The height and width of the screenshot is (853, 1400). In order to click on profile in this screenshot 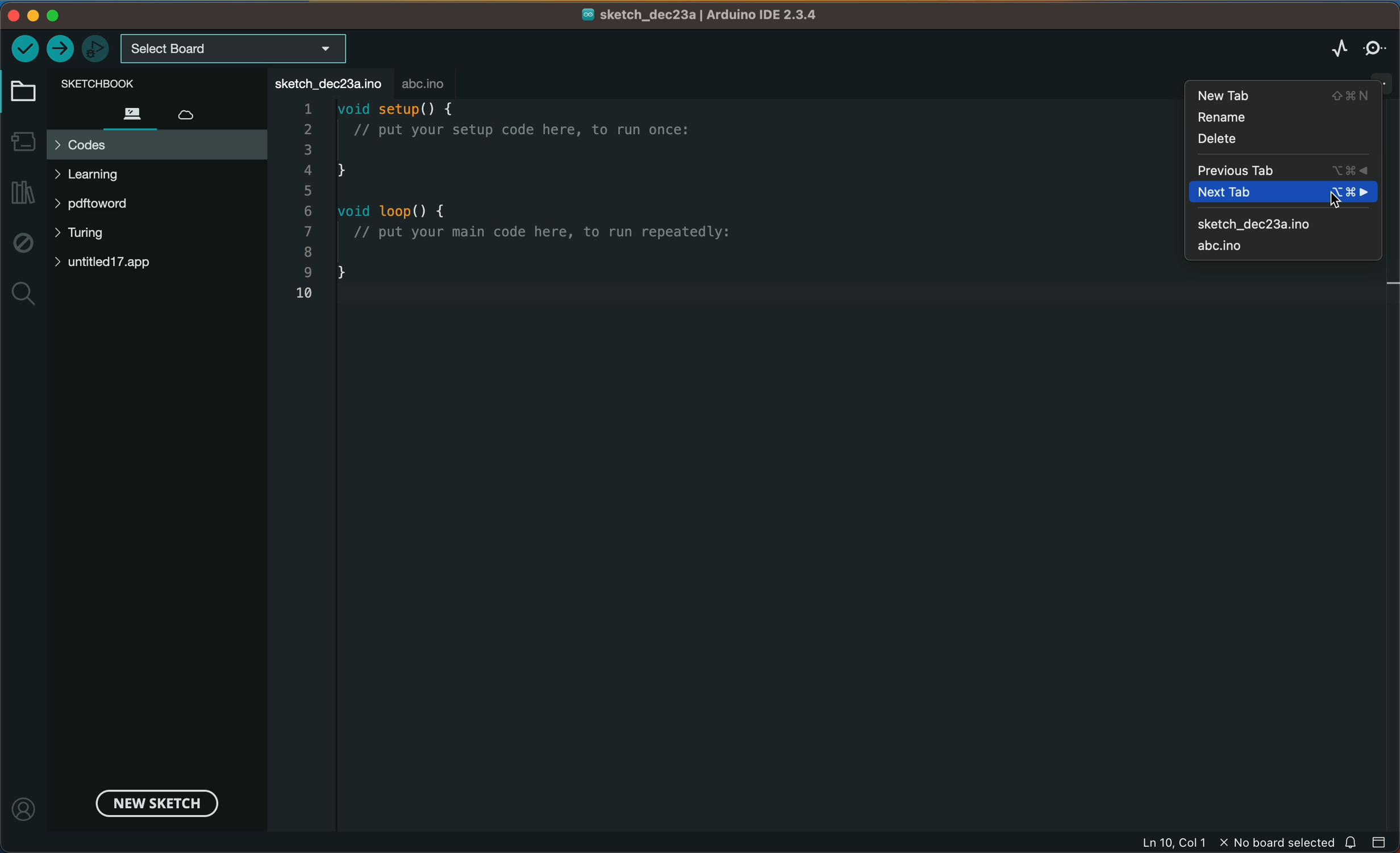, I will do `click(23, 810)`.